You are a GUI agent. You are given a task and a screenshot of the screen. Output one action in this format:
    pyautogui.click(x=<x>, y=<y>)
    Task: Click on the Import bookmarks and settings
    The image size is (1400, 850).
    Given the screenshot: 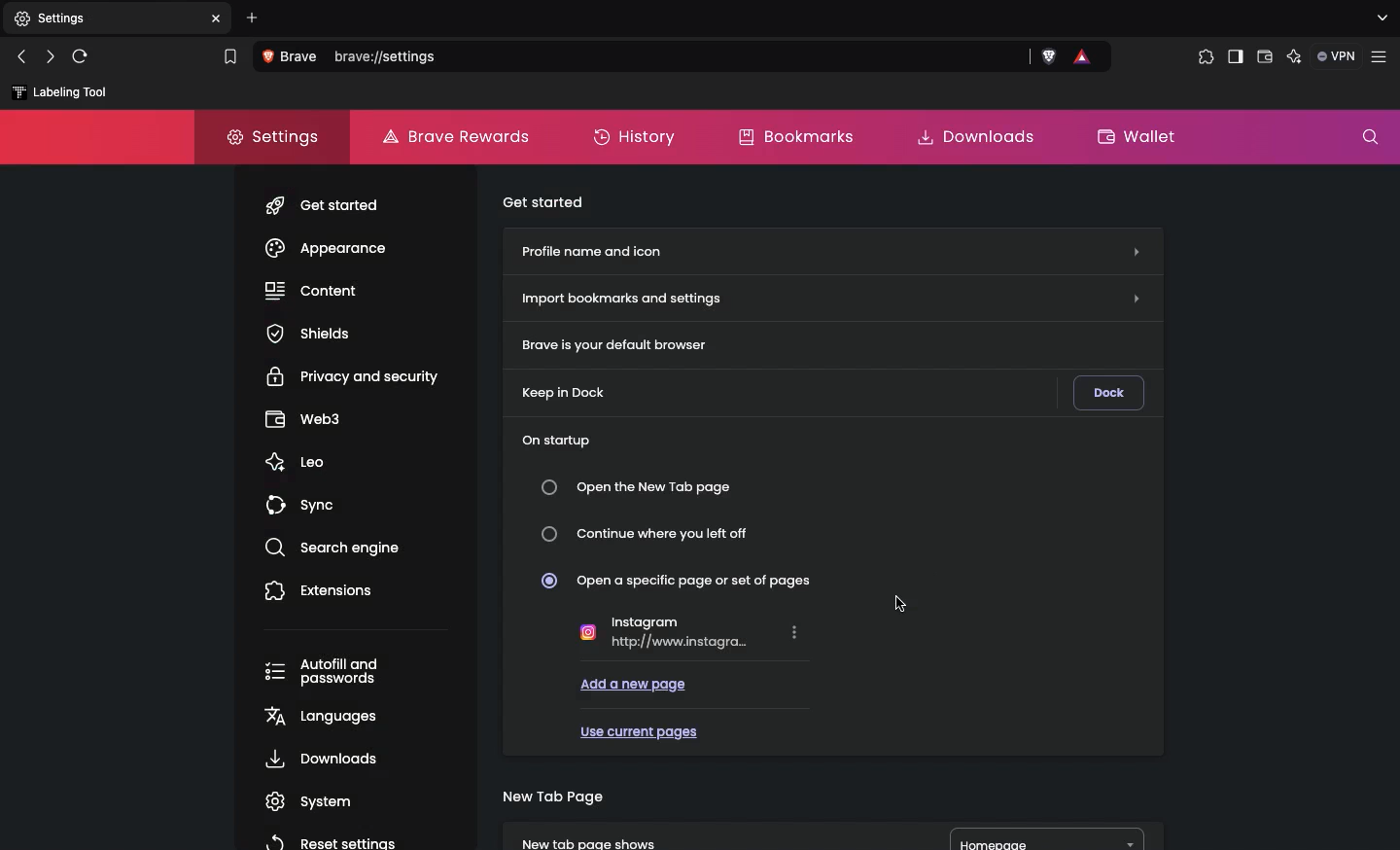 What is the action you would take?
    pyautogui.click(x=835, y=298)
    